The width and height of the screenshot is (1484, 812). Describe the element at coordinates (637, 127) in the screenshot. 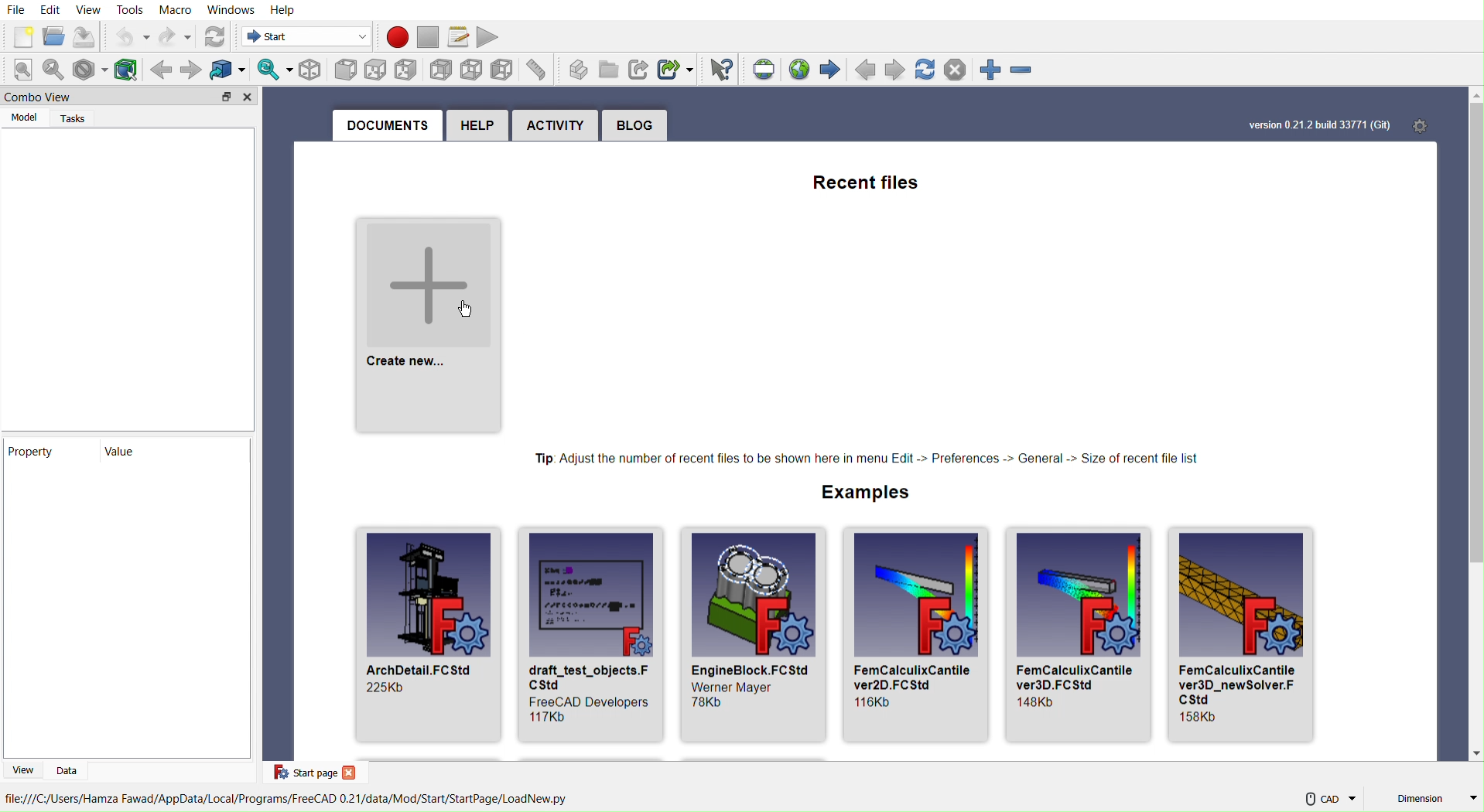

I see `Blog` at that location.